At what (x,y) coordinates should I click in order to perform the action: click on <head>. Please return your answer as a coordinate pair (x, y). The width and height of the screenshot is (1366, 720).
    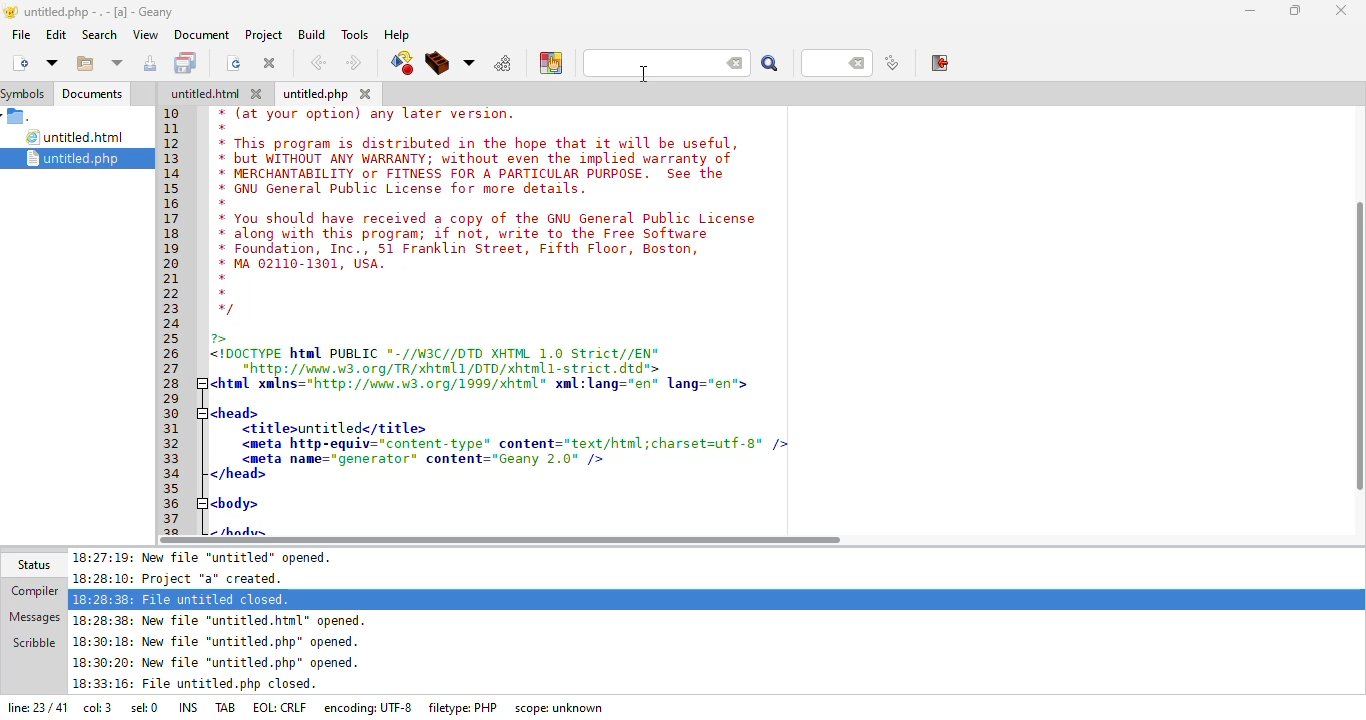
    Looking at the image, I should click on (233, 411).